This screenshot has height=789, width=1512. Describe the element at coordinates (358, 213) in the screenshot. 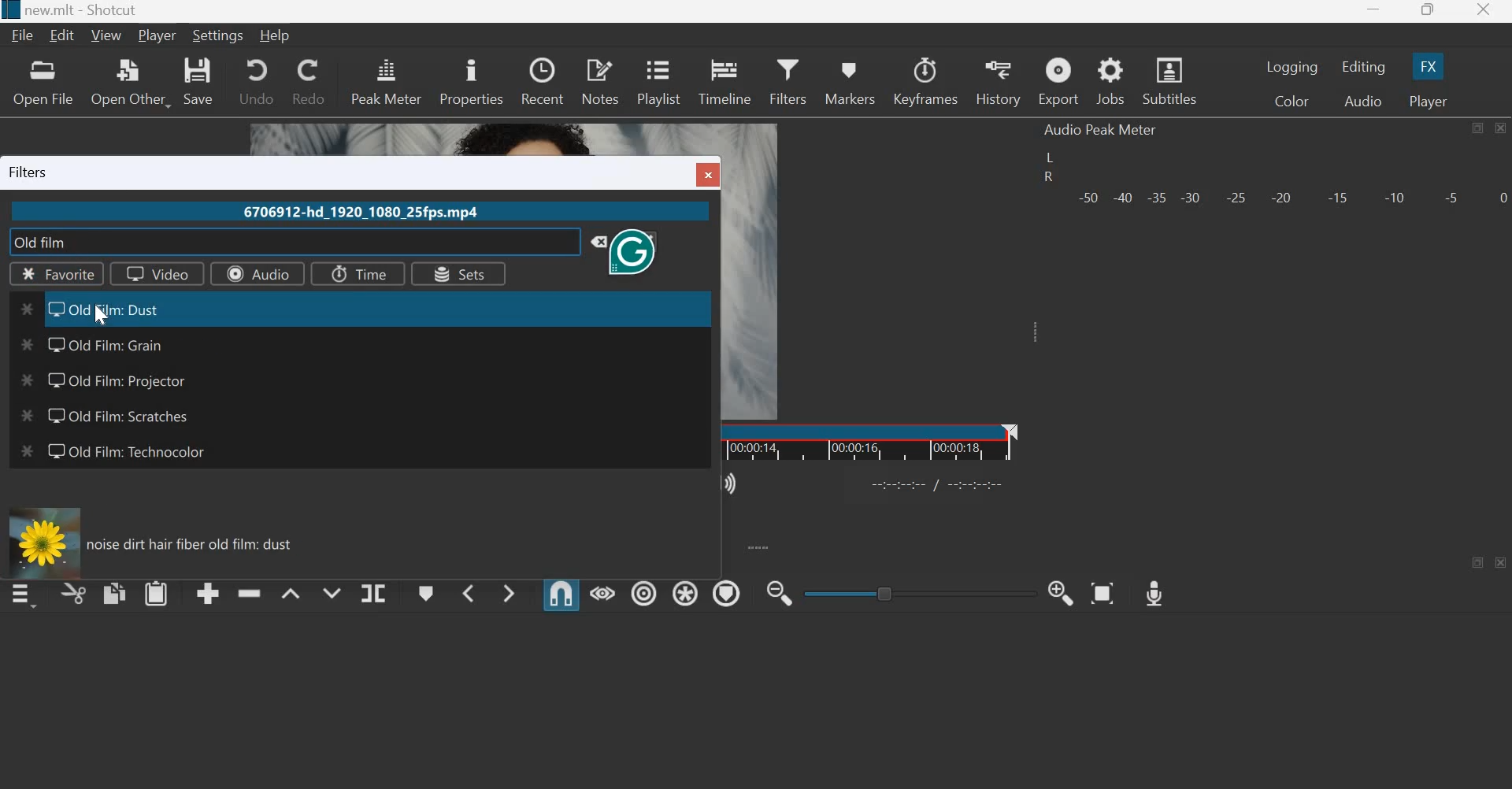

I see `6706912-hd_1920_1080_25fps.mp4` at that location.